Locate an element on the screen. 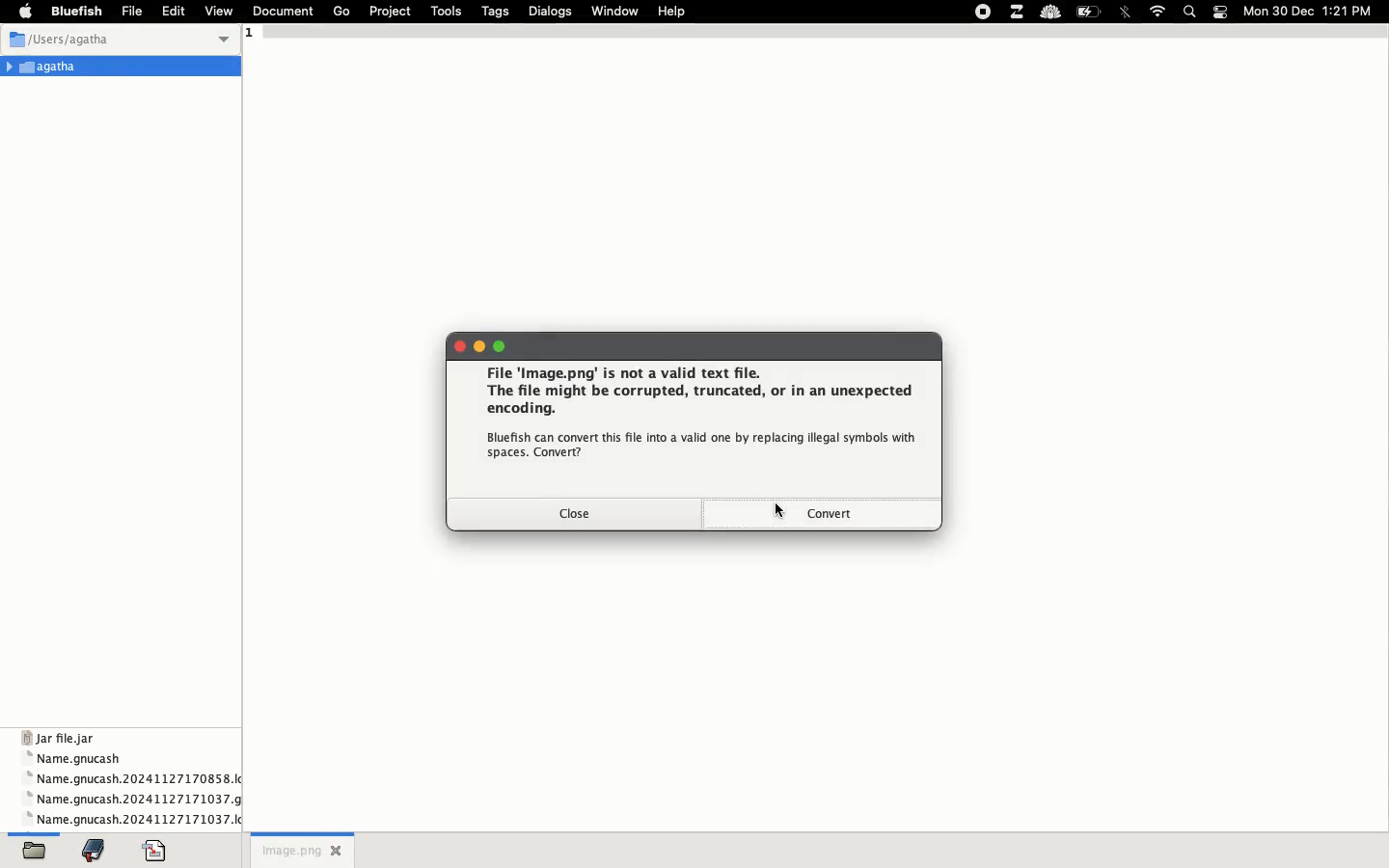 The height and width of the screenshot is (868, 1389). apple is located at coordinates (24, 12).